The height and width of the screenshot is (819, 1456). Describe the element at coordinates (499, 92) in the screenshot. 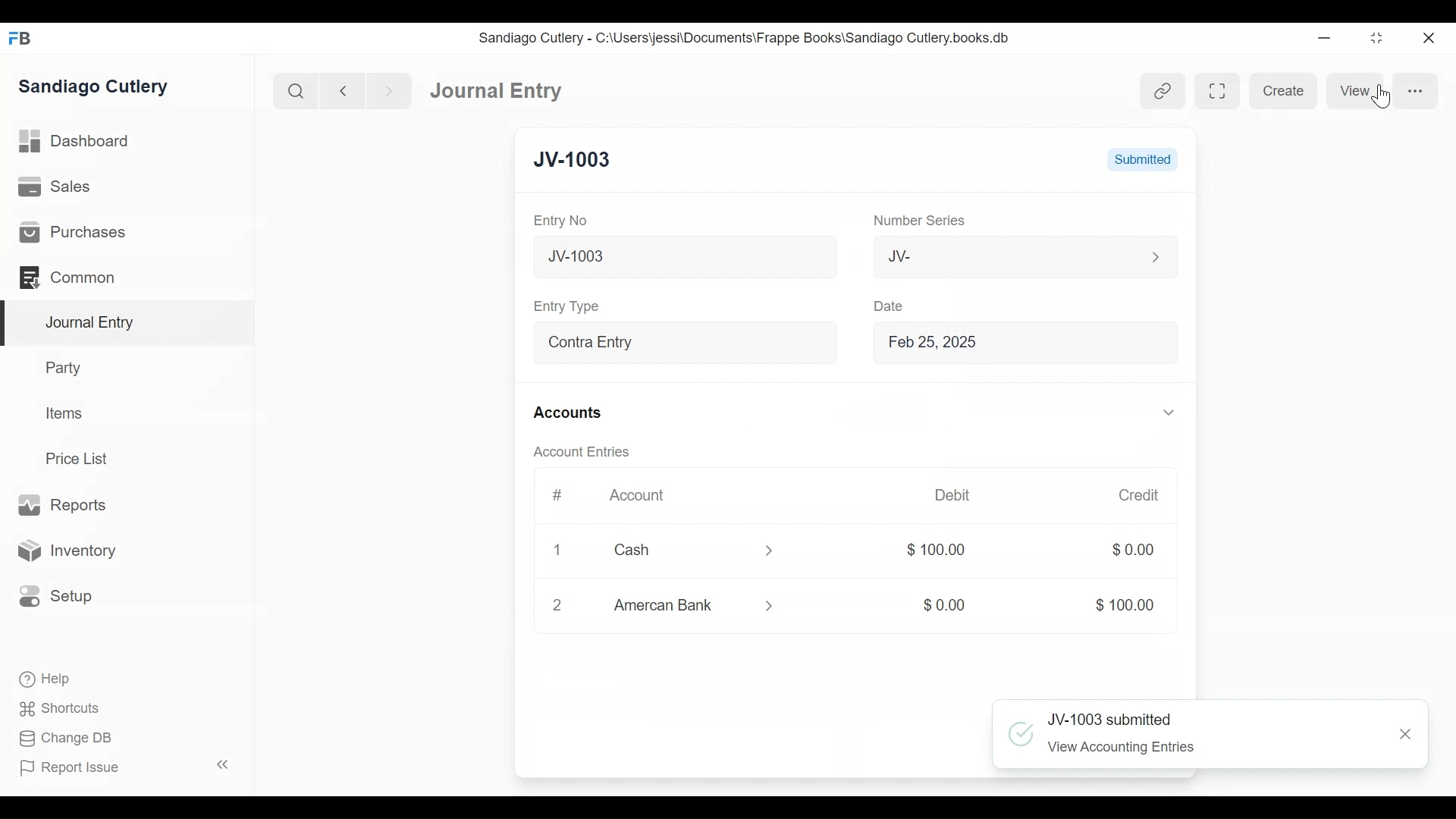

I see `Journal Entry` at that location.